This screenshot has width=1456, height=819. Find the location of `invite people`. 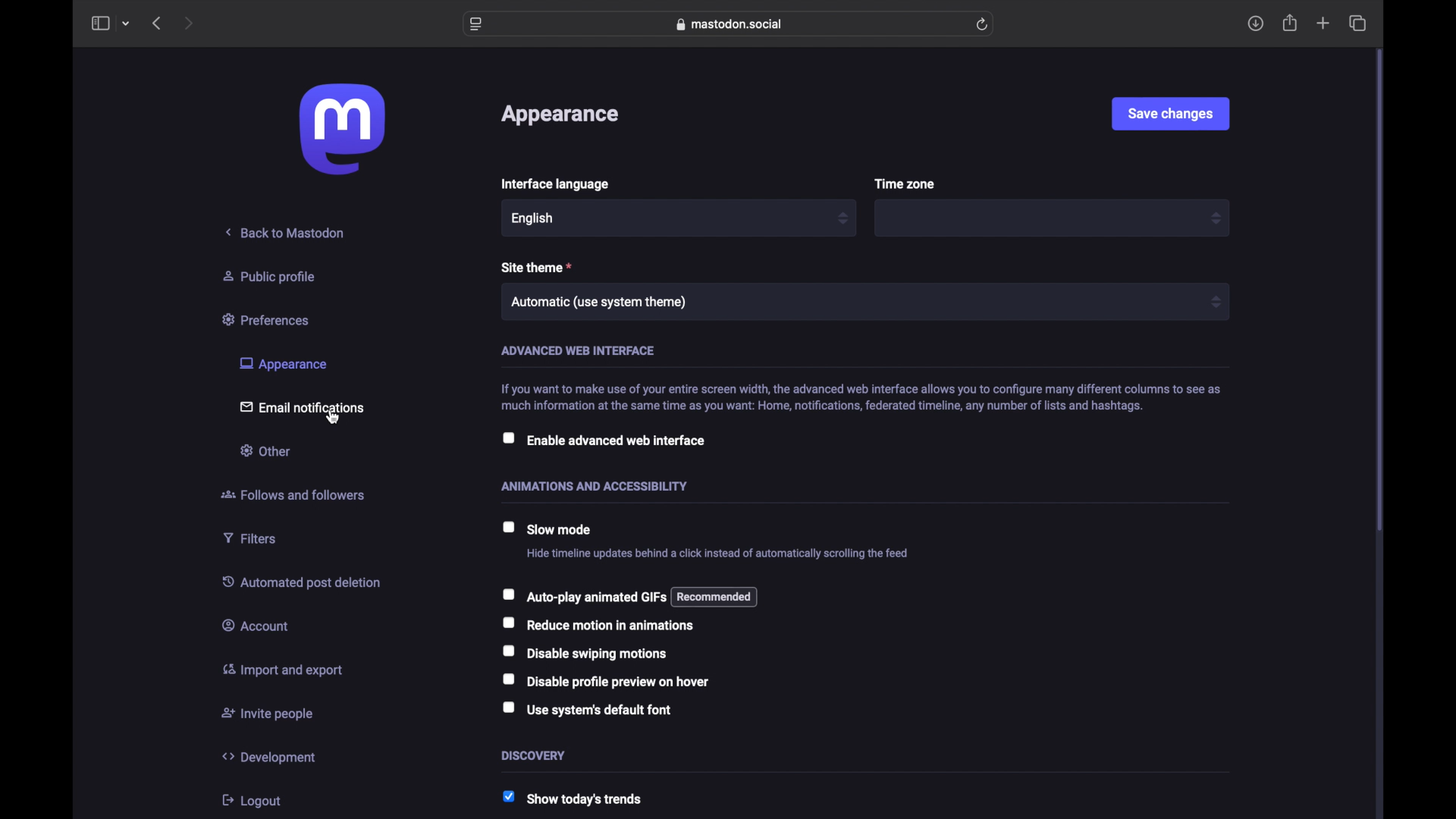

invite people is located at coordinates (268, 714).